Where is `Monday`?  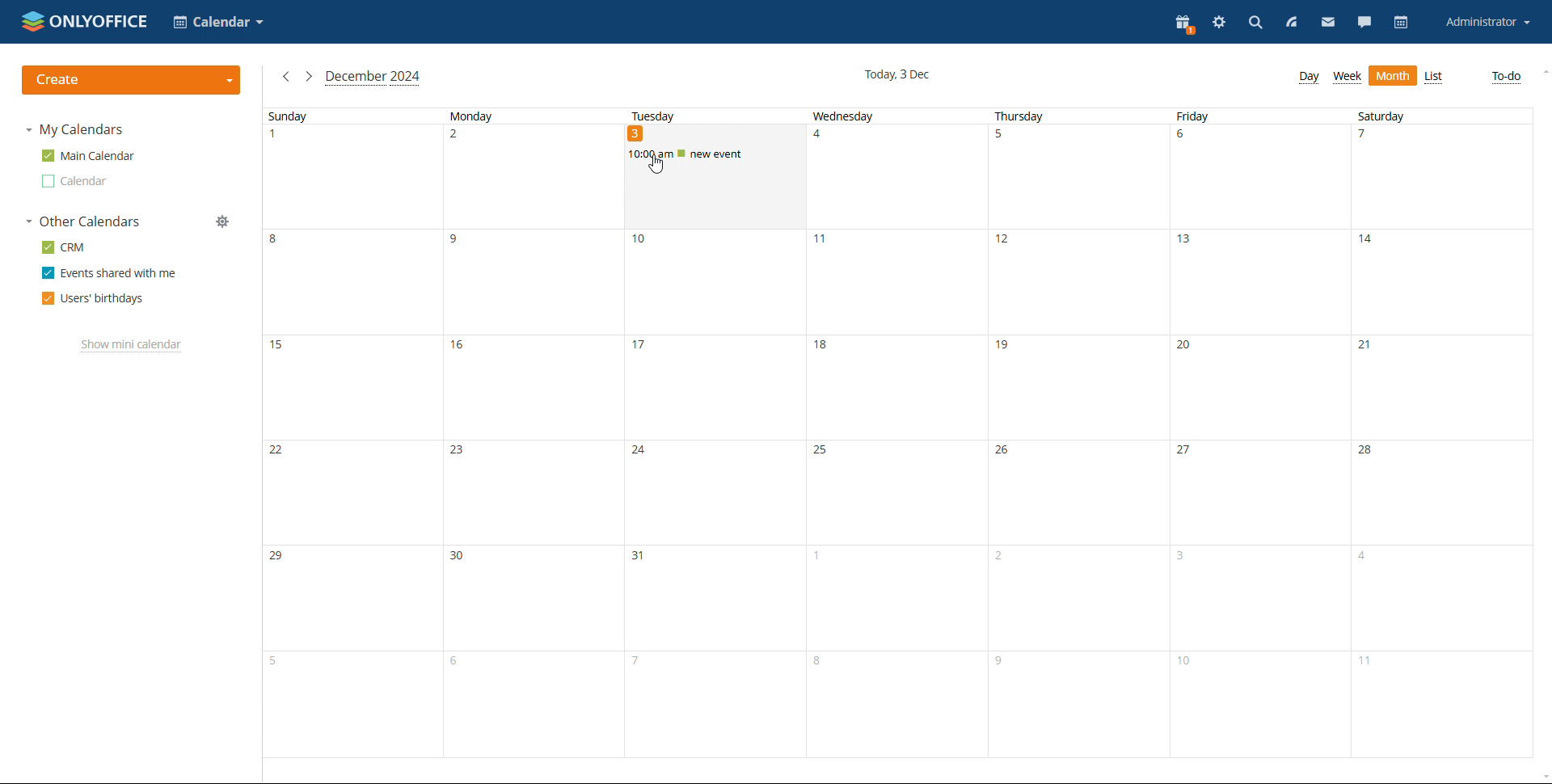 Monday is located at coordinates (528, 115).